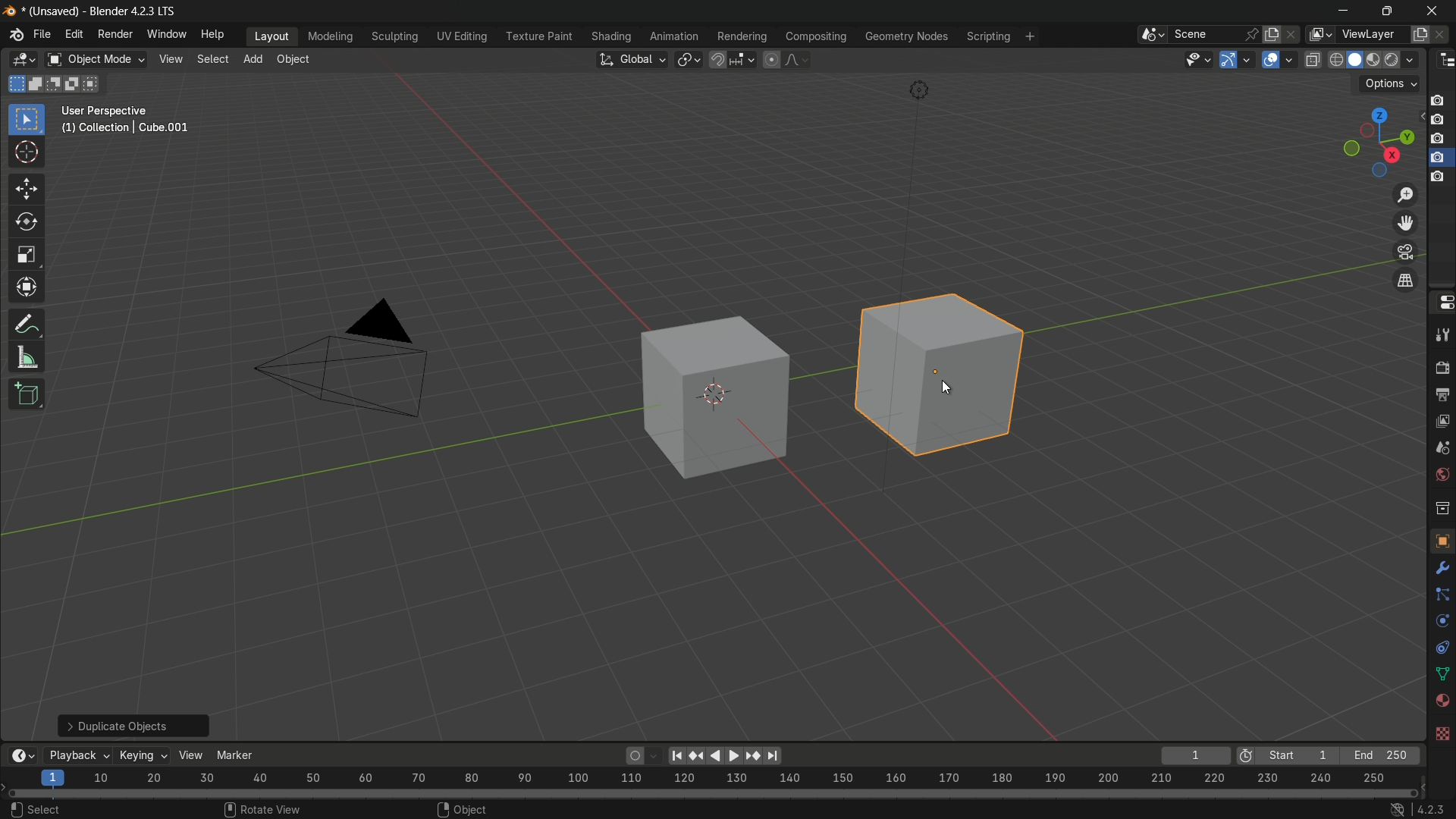  What do you see at coordinates (723, 755) in the screenshot?
I see `play` at bounding box center [723, 755].